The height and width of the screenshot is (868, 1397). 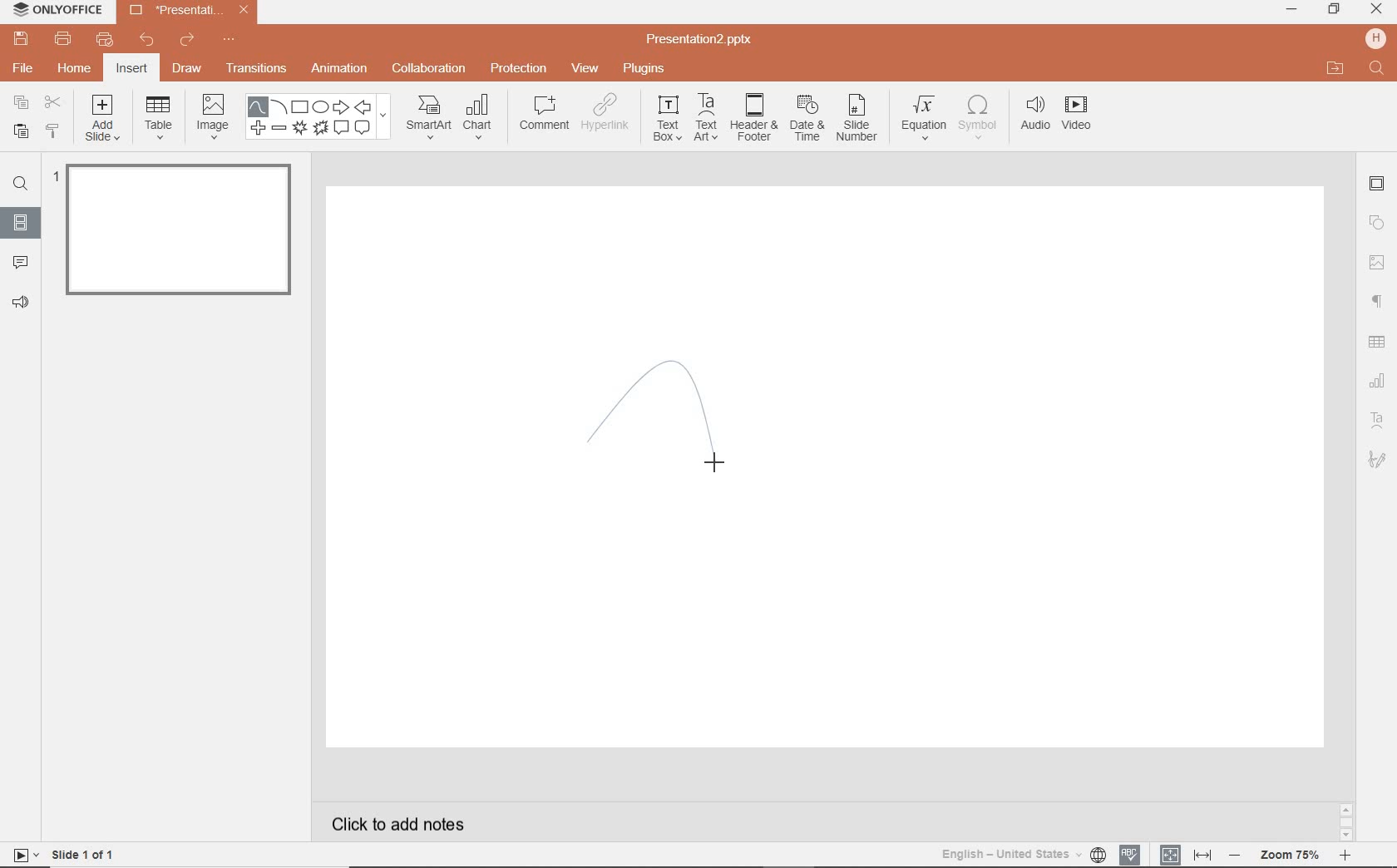 I want to click on COPY STYLE, so click(x=52, y=131).